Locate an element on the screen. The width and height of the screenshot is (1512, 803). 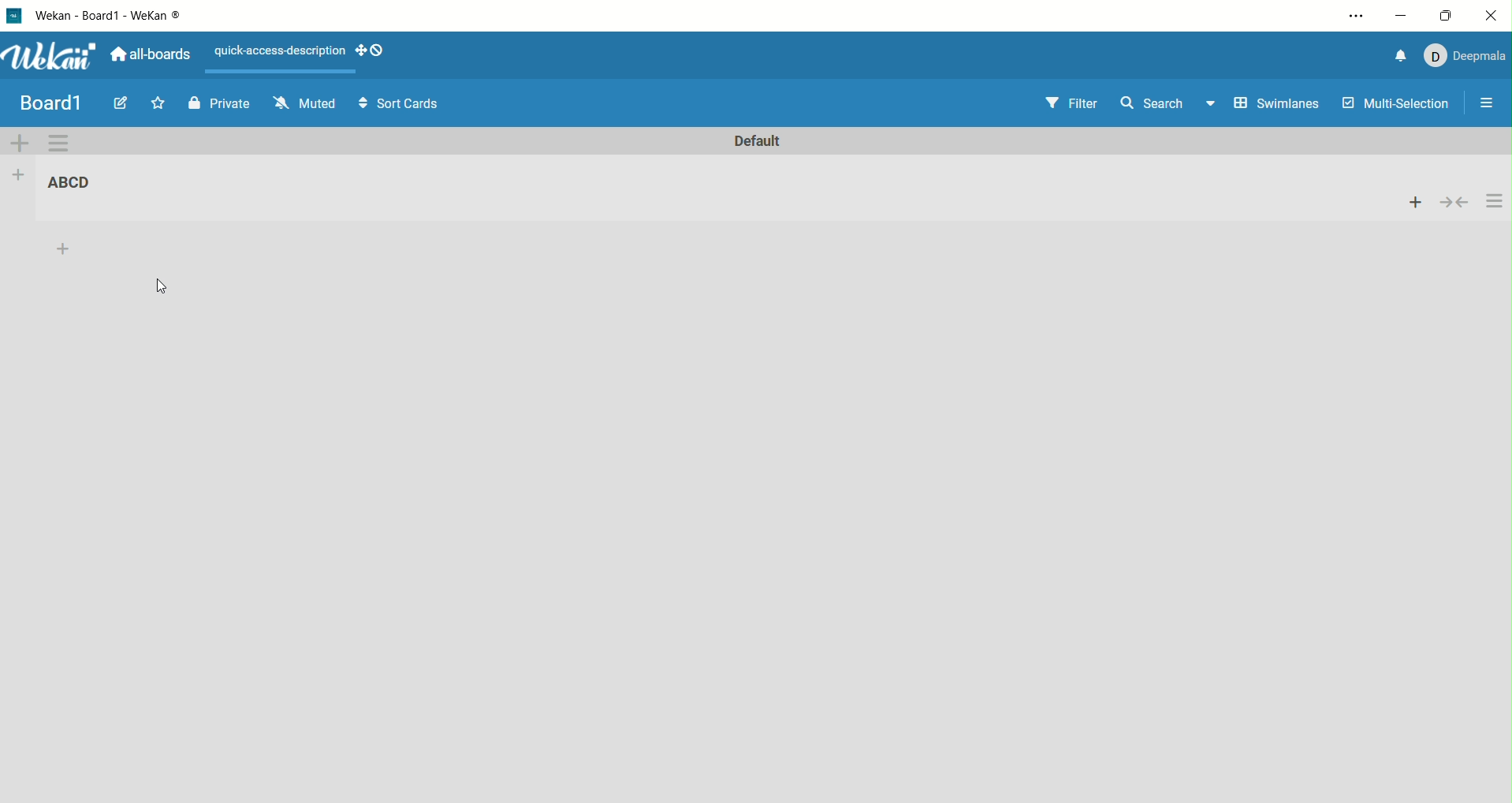
sort cards is located at coordinates (400, 103).